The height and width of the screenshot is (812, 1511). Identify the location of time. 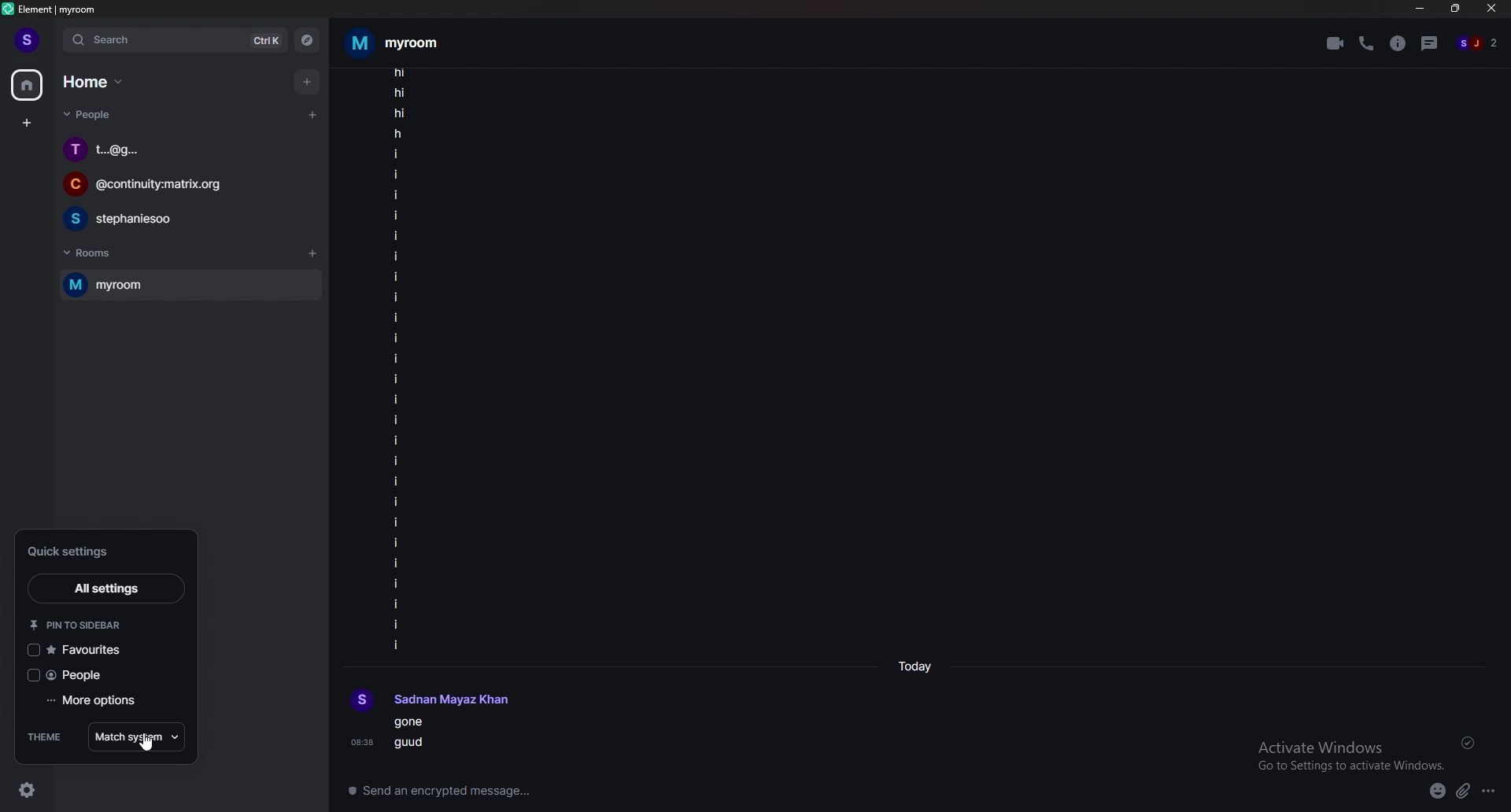
(918, 666).